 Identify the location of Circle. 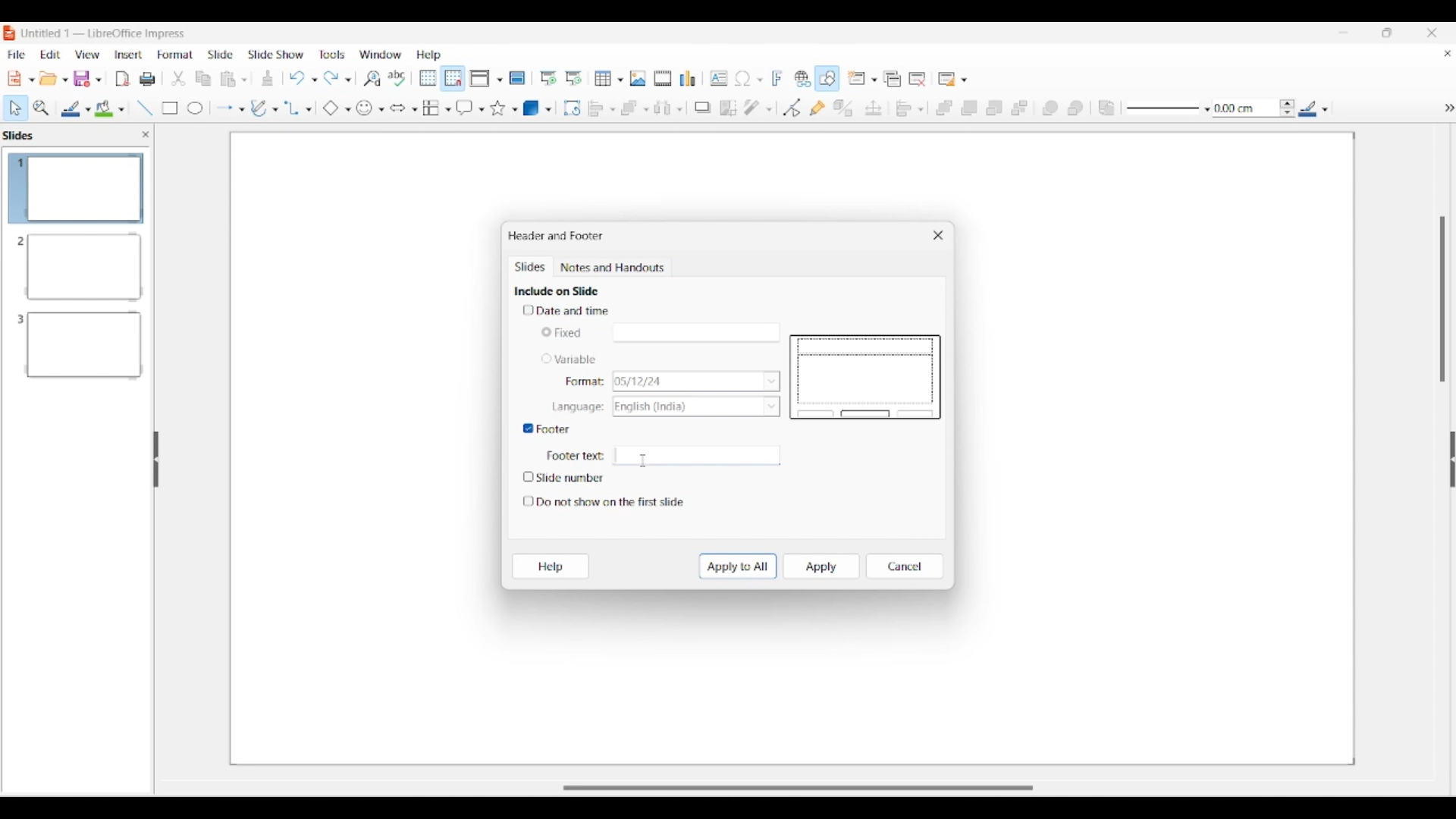
(194, 108).